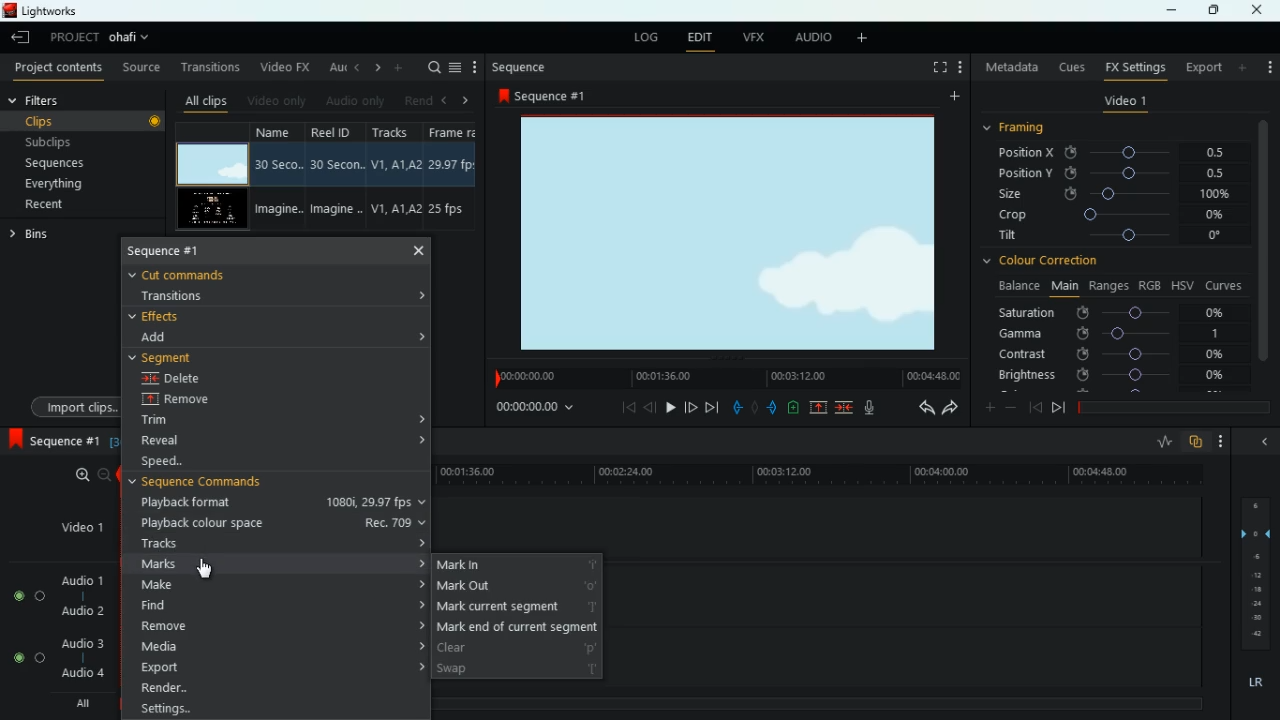  I want to click on lightworks, so click(62, 12).